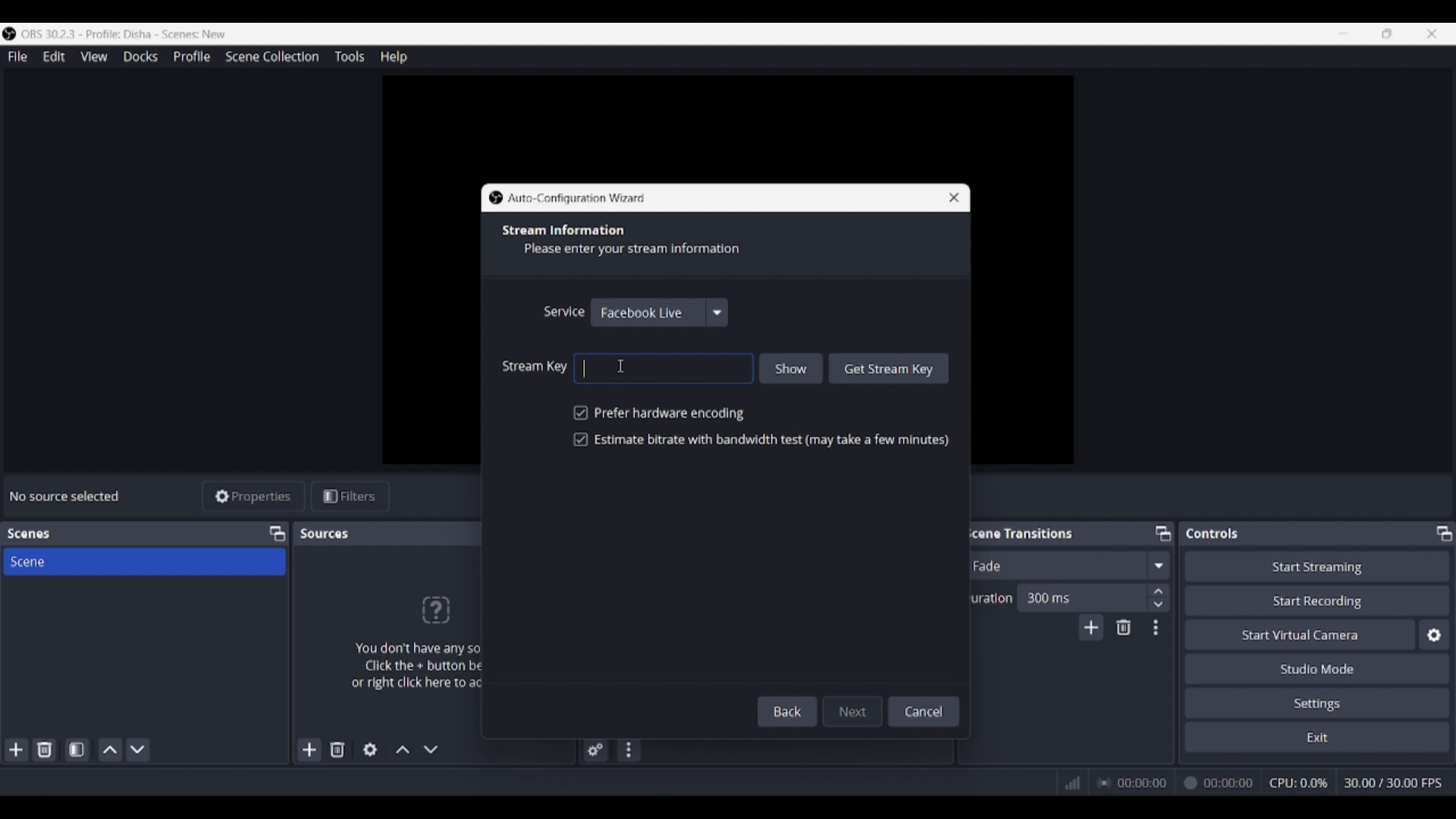 The width and height of the screenshot is (1456, 819). Describe the element at coordinates (628, 241) in the screenshot. I see `Section title and description` at that location.